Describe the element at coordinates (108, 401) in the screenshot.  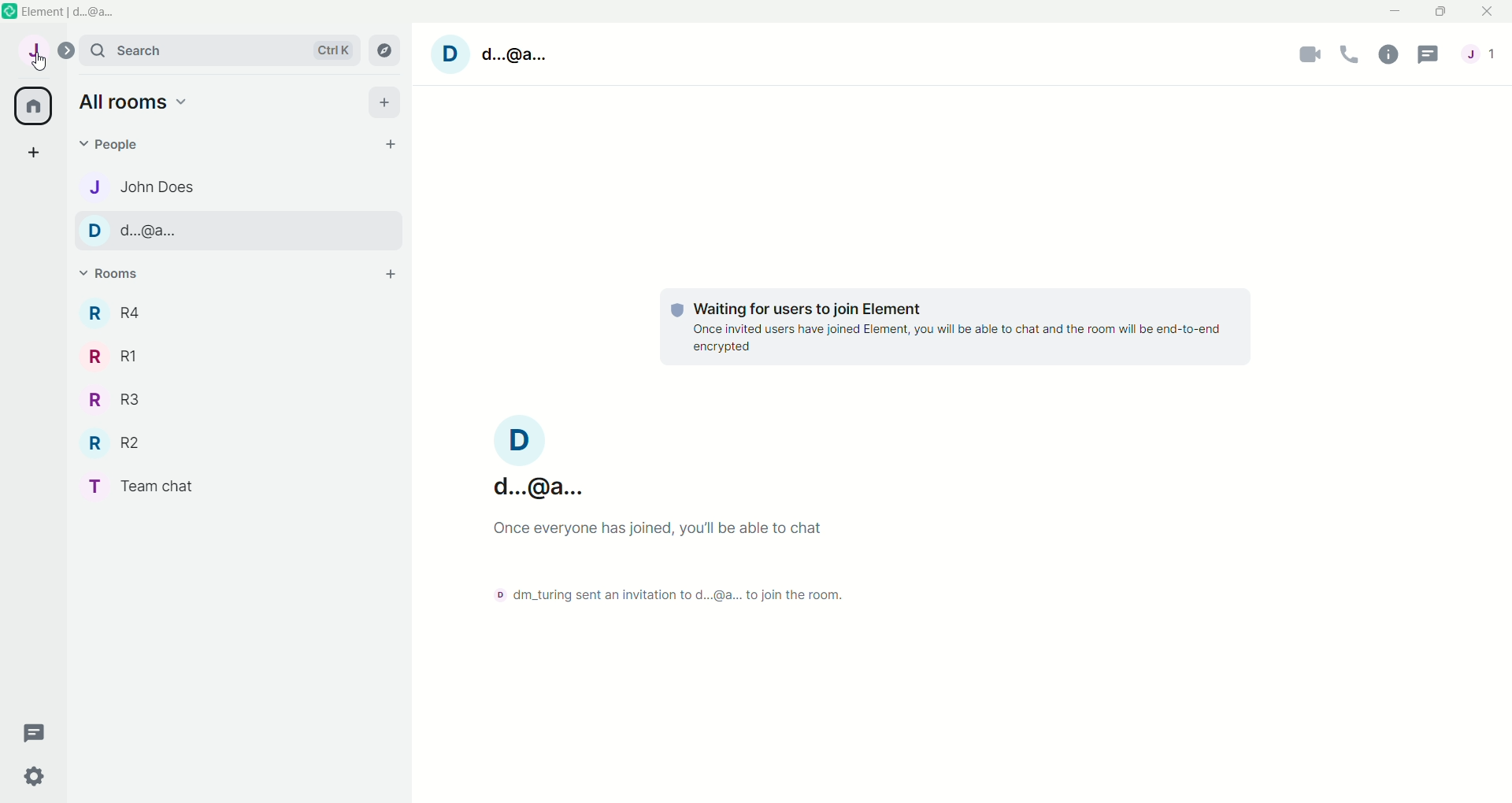
I see `Room R3` at that location.